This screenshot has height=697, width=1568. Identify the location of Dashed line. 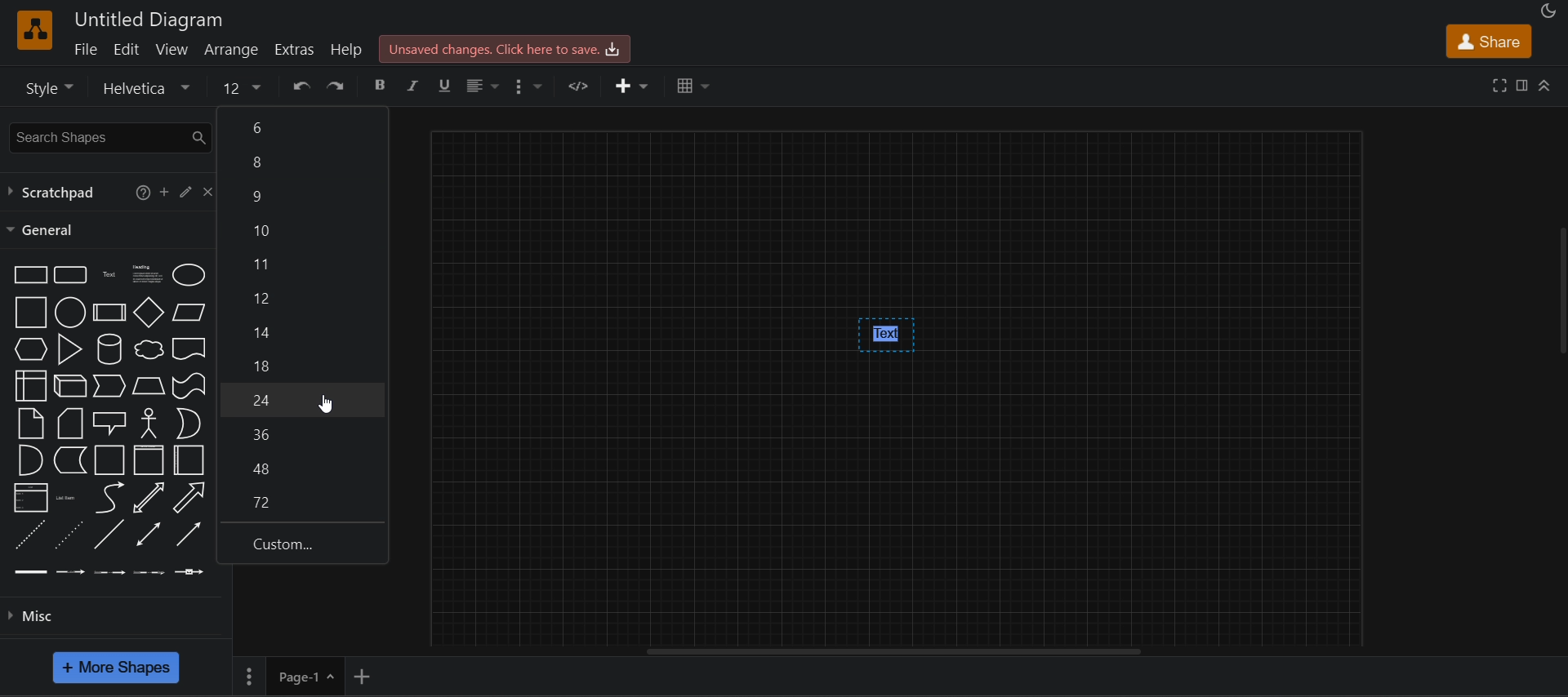
(30, 534).